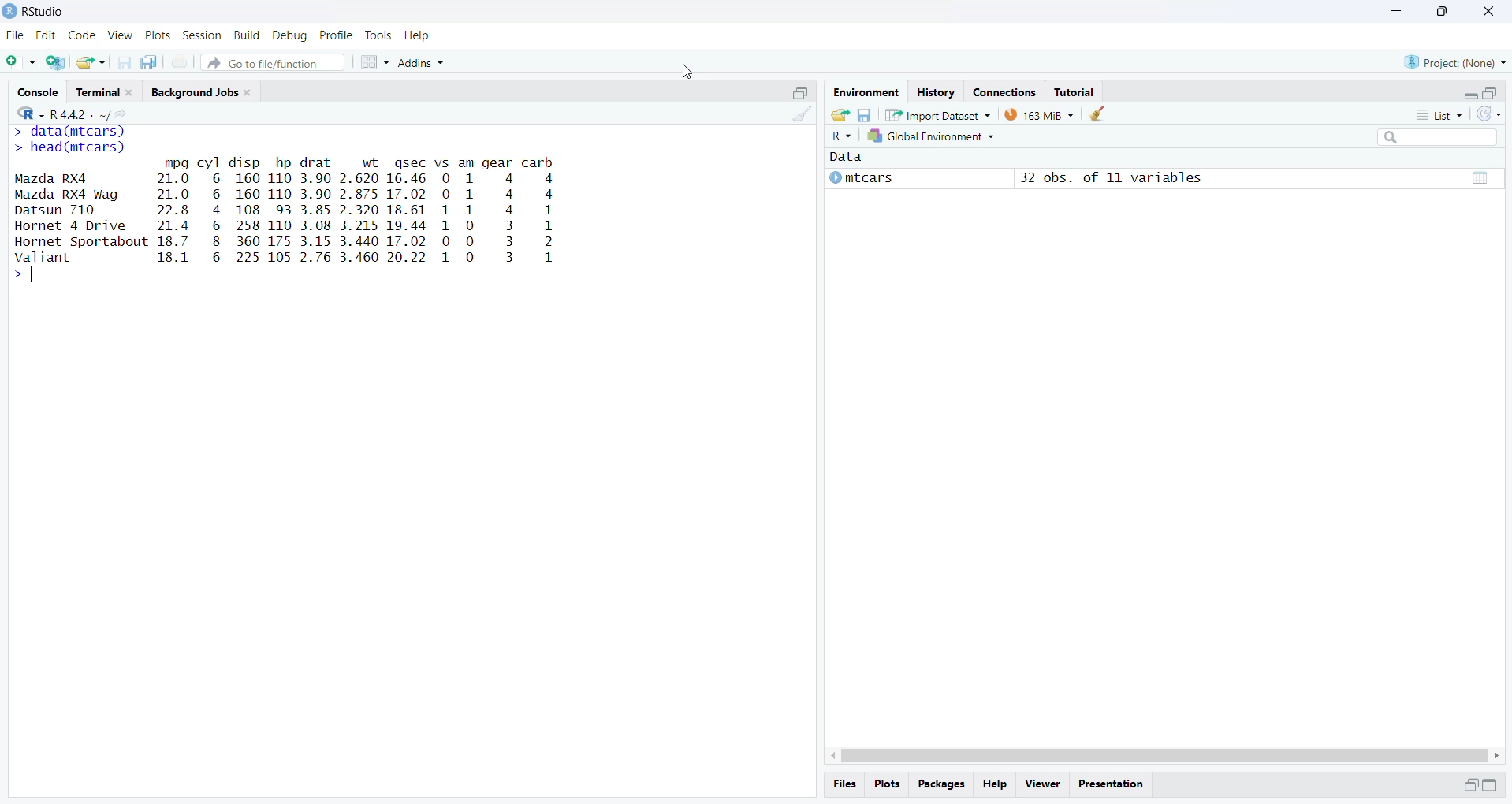  Describe the element at coordinates (932, 136) in the screenshot. I see `Global Environment` at that location.